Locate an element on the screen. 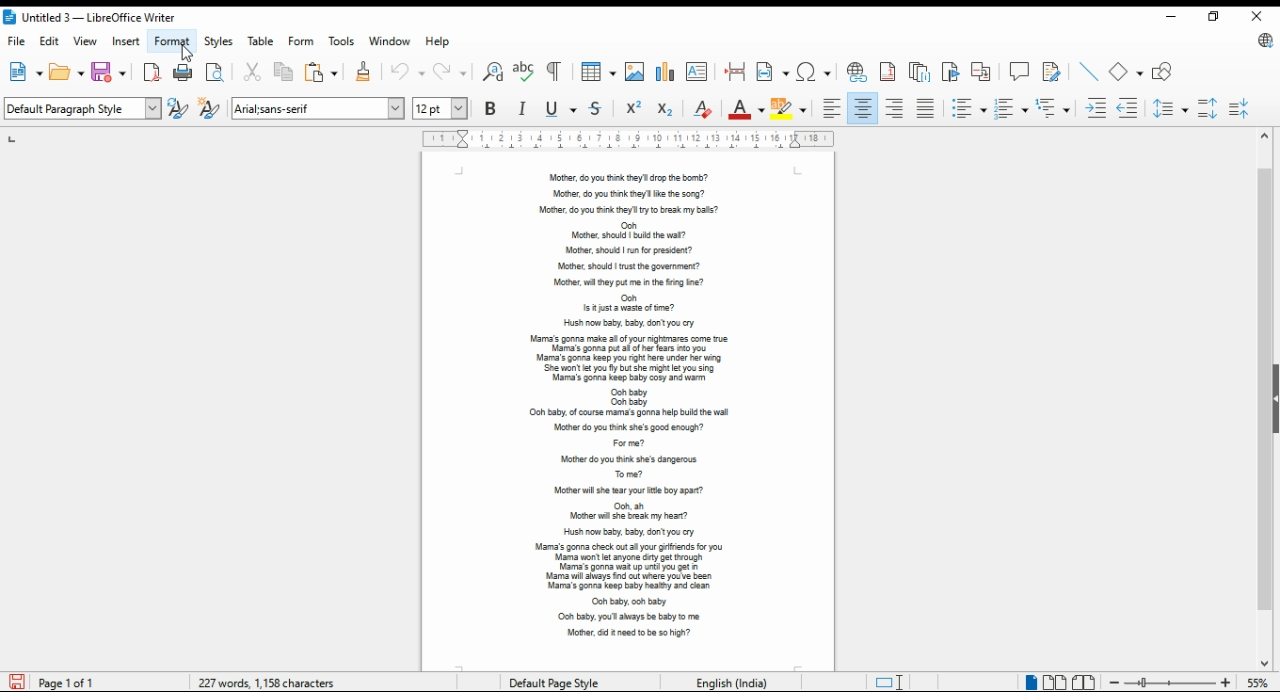 Image resolution: width=1280 pixels, height=692 pixels. new is located at coordinates (24, 72).